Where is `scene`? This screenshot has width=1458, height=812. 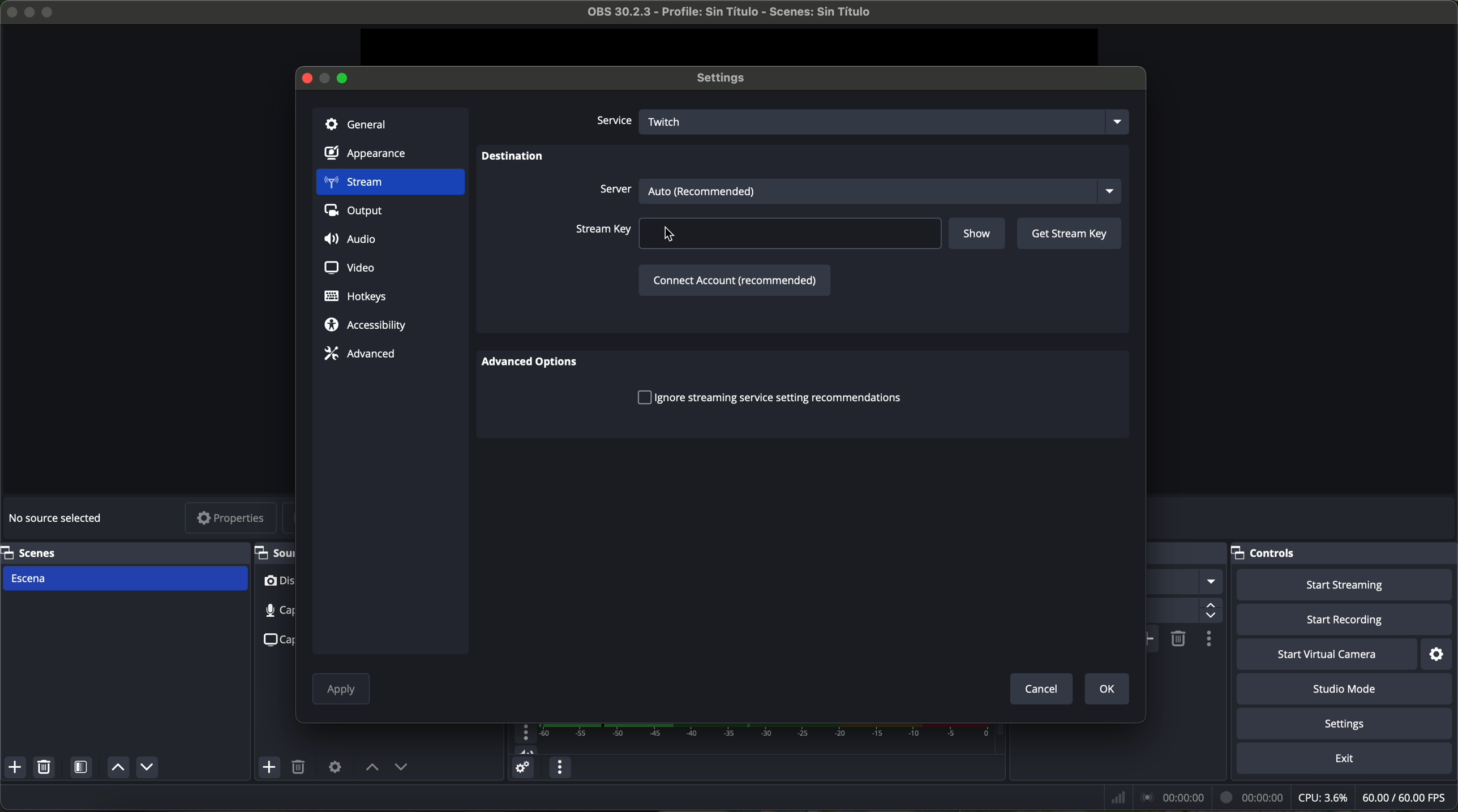 scene is located at coordinates (126, 578).